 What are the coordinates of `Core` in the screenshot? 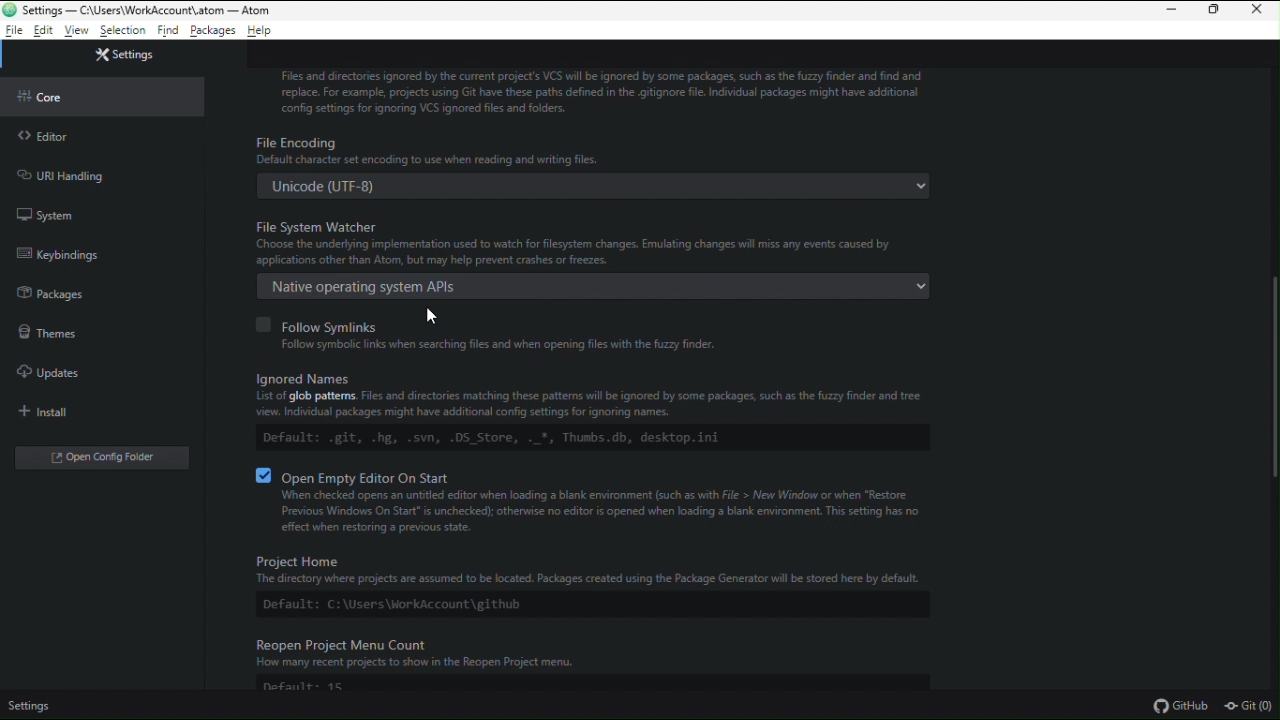 It's located at (47, 96).